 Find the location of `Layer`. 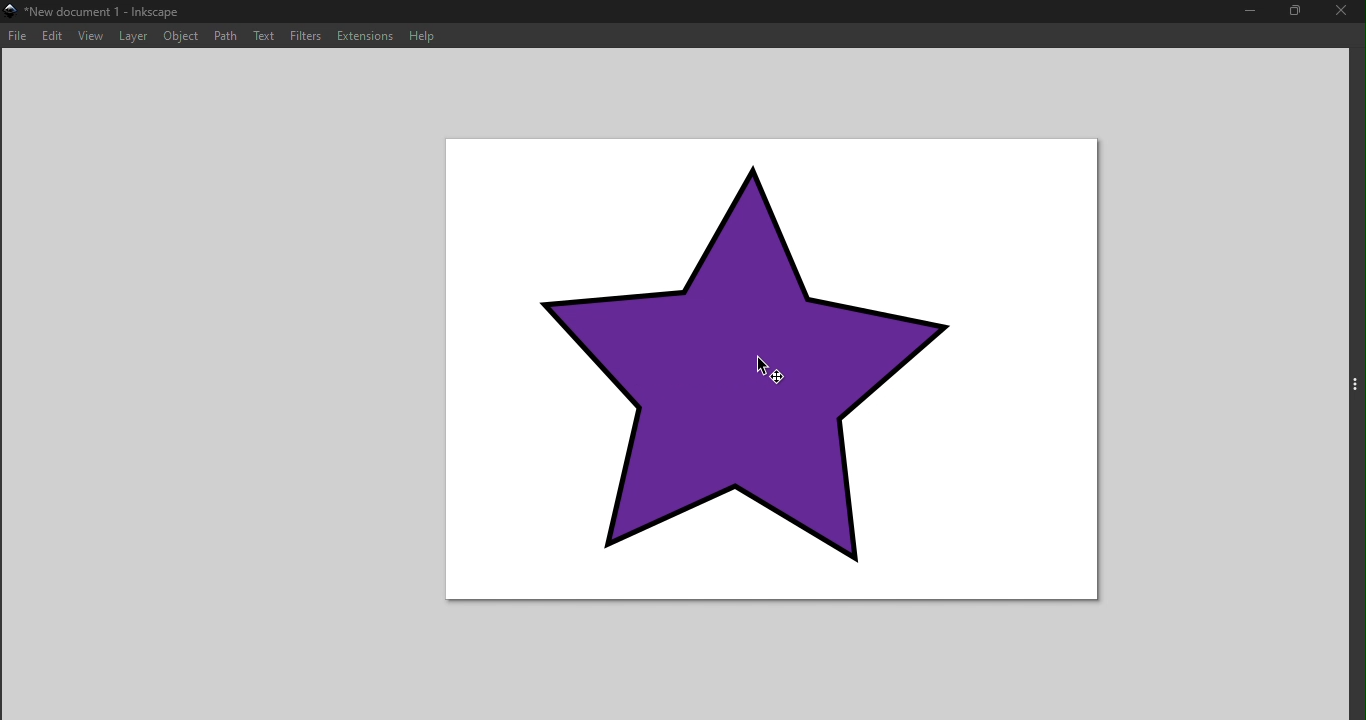

Layer is located at coordinates (133, 35).